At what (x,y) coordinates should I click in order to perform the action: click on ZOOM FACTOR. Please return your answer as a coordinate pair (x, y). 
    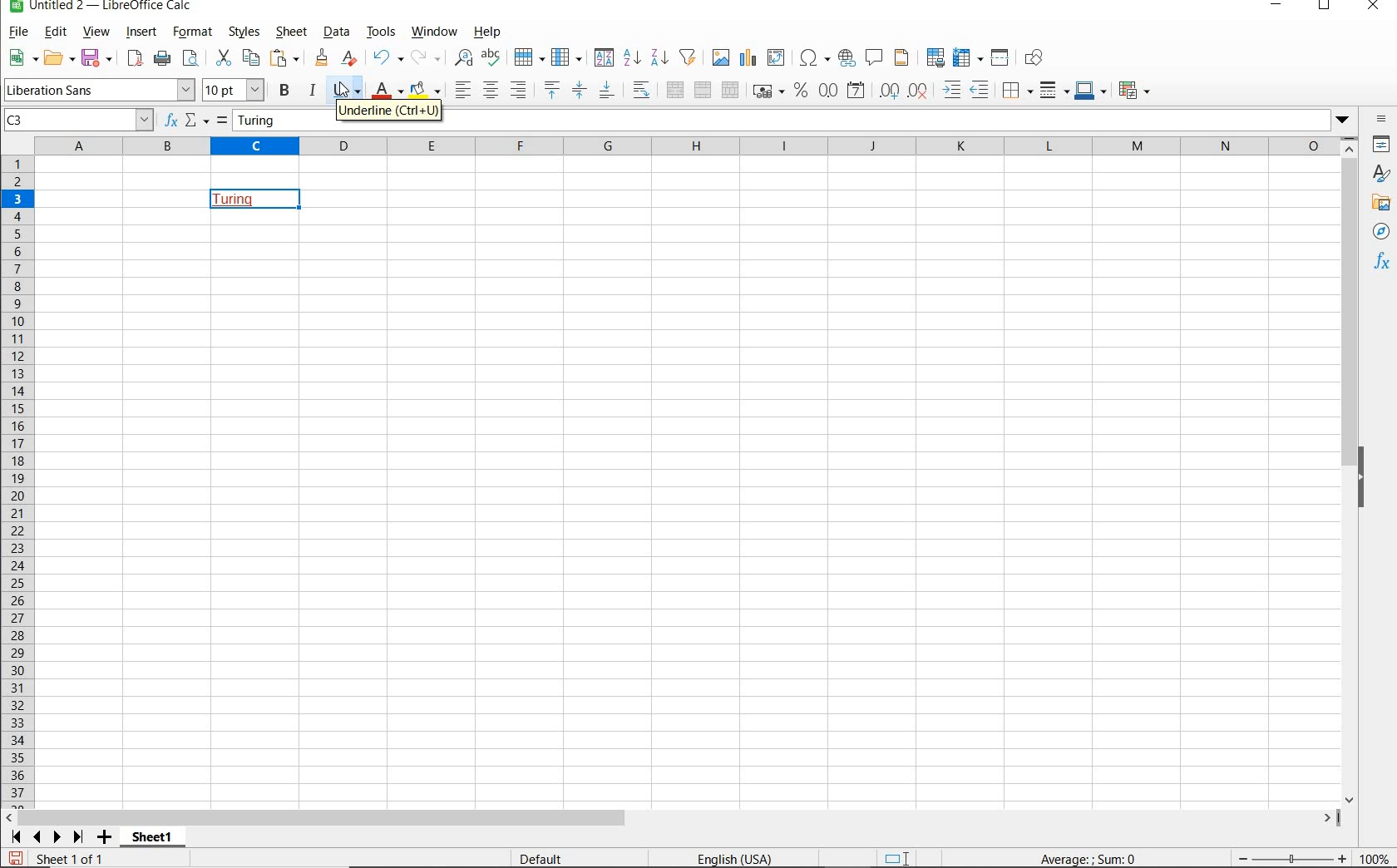
    Looking at the image, I should click on (1377, 856).